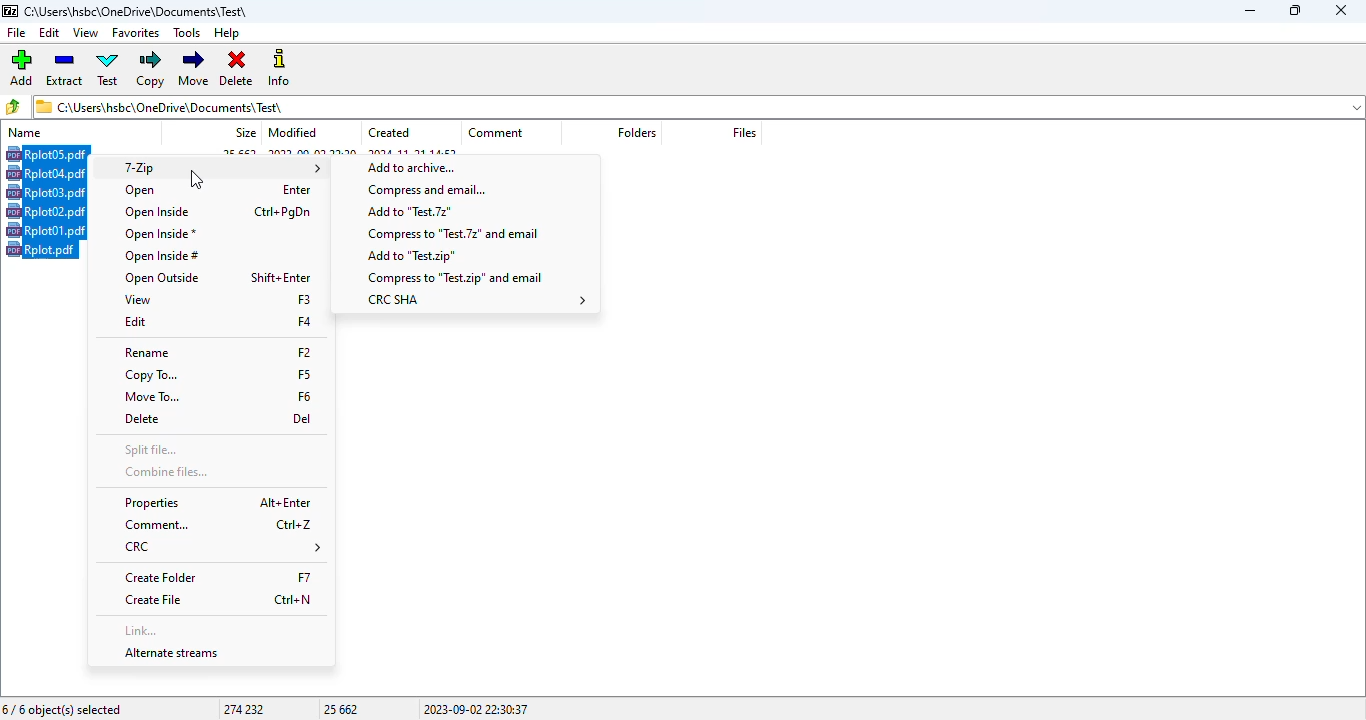  What do you see at coordinates (188, 33) in the screenshot?
I see `tools` at bounding box center [188, 33].